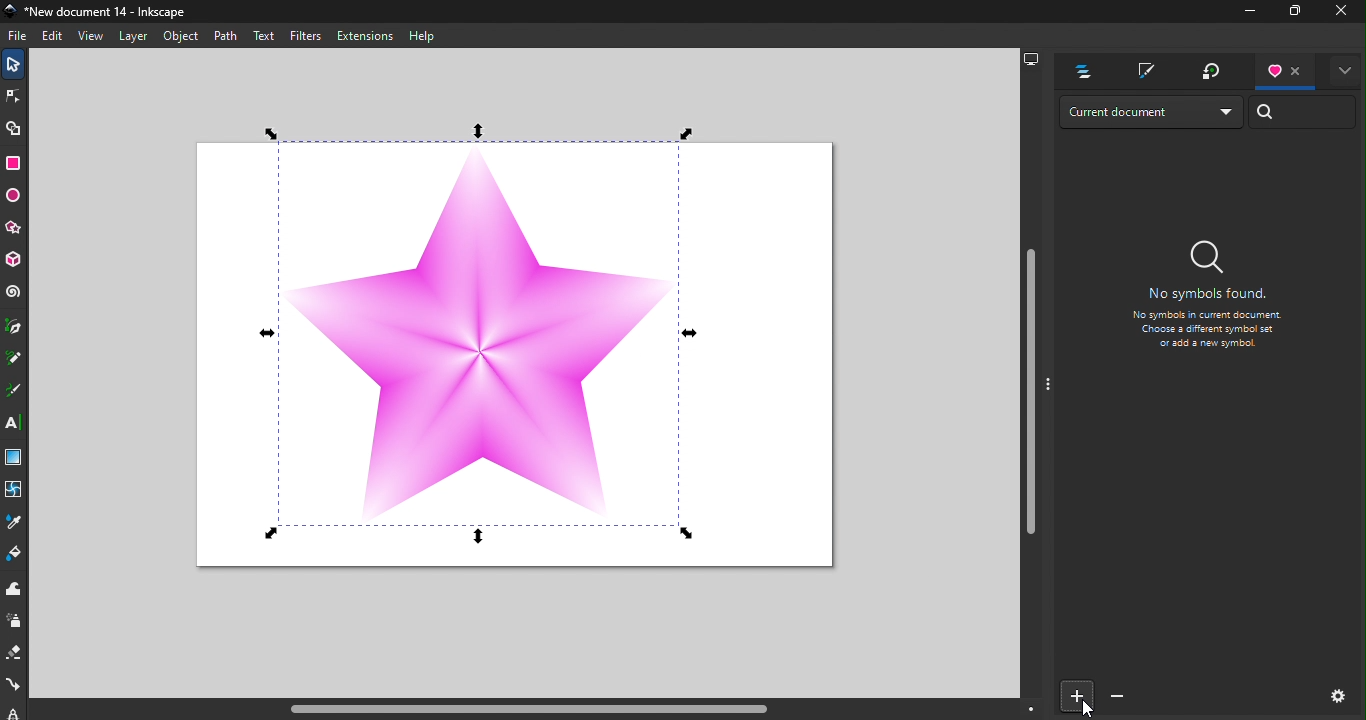 This screenshot has height=720, width=1366. Describe the element at coordinates (15, 620) in the screenshot. I see `Spray tool` at that location.